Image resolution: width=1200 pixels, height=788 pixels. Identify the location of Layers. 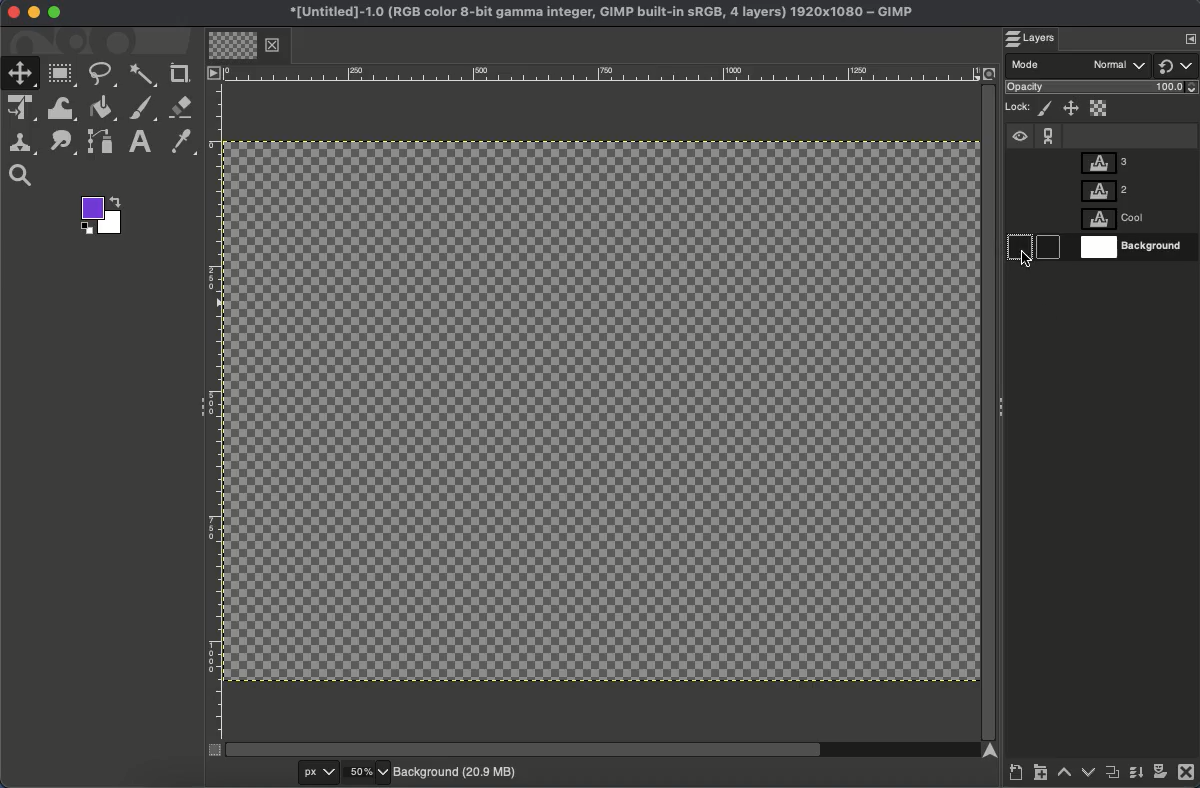
(1039, 39).